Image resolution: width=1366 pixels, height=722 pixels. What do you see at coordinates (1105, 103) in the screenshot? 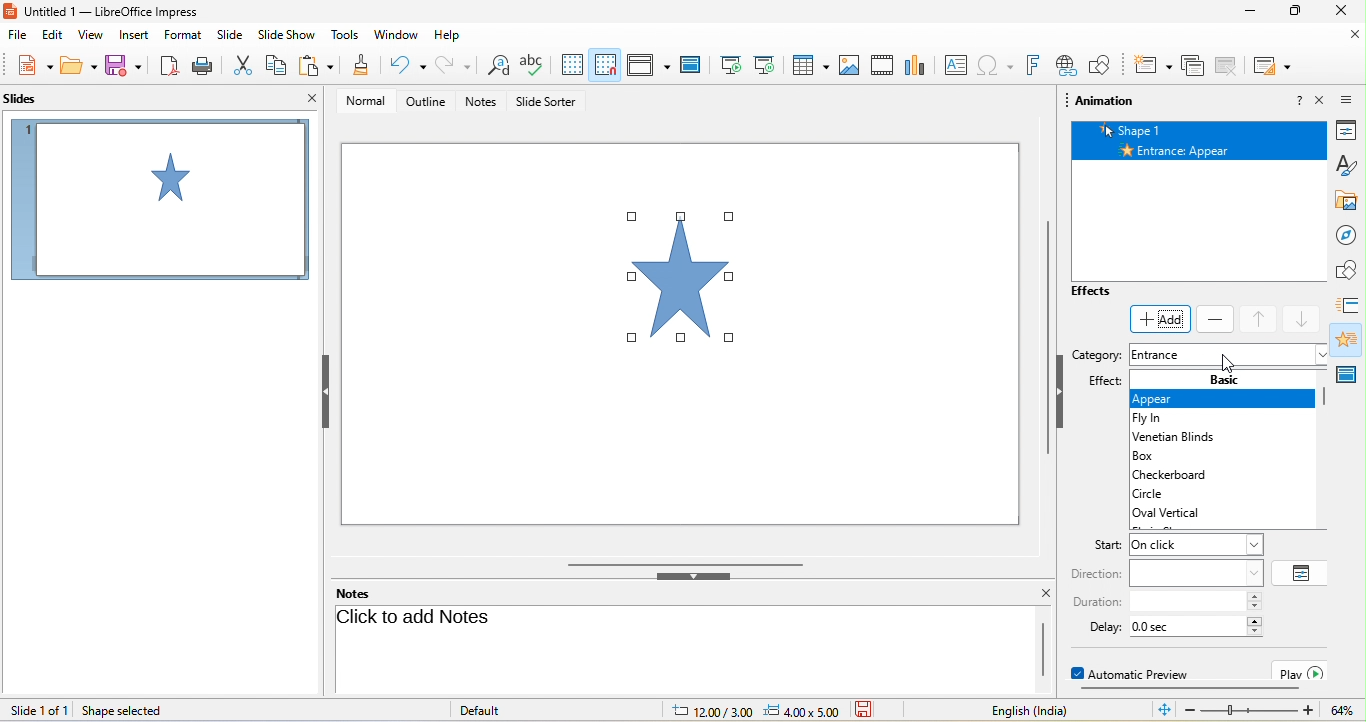
I see `animation` at bounding box center [1105, 103].